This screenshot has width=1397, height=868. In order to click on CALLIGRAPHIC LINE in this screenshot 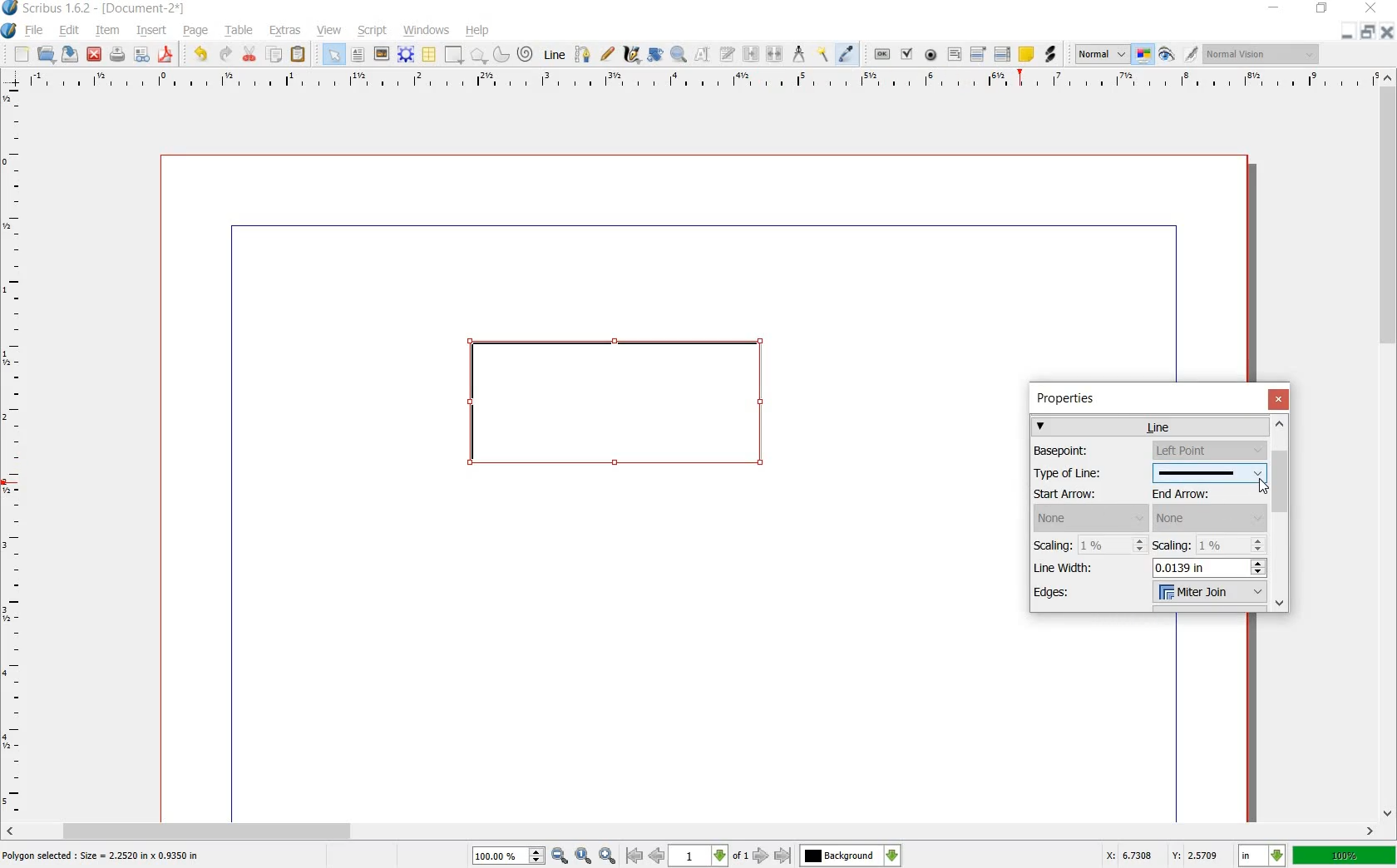, I will do `click(630, 54)`.